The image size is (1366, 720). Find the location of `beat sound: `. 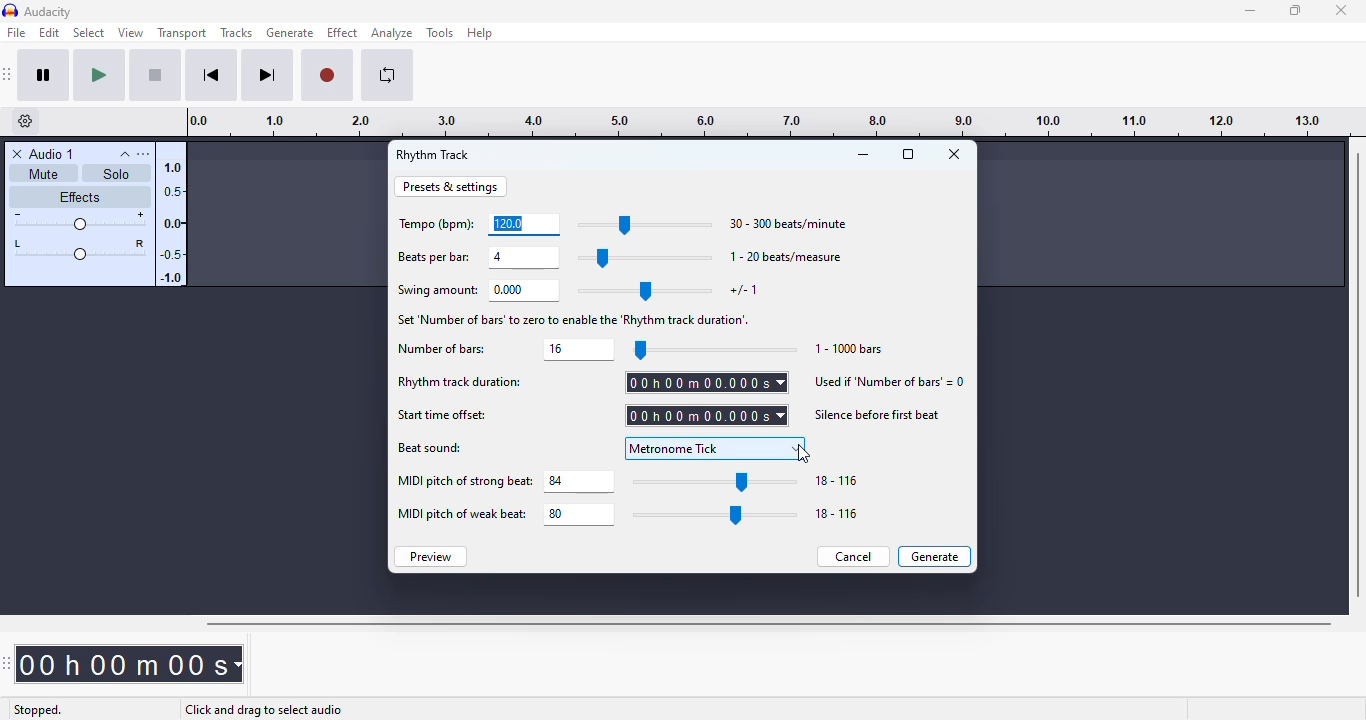

beat sound:  is located at coordinates (430, 448).